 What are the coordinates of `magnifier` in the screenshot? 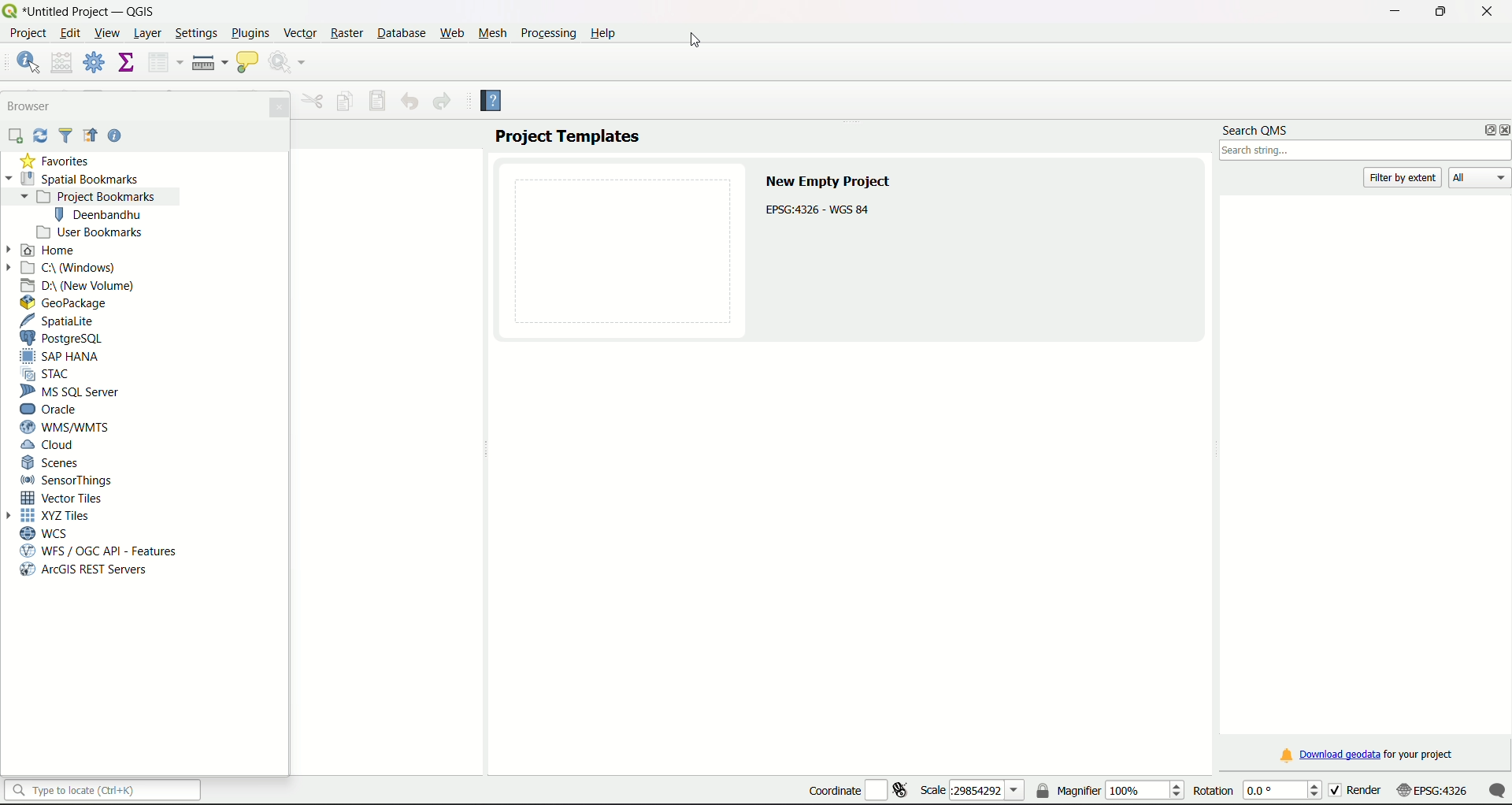 It's located at (1110, 789).